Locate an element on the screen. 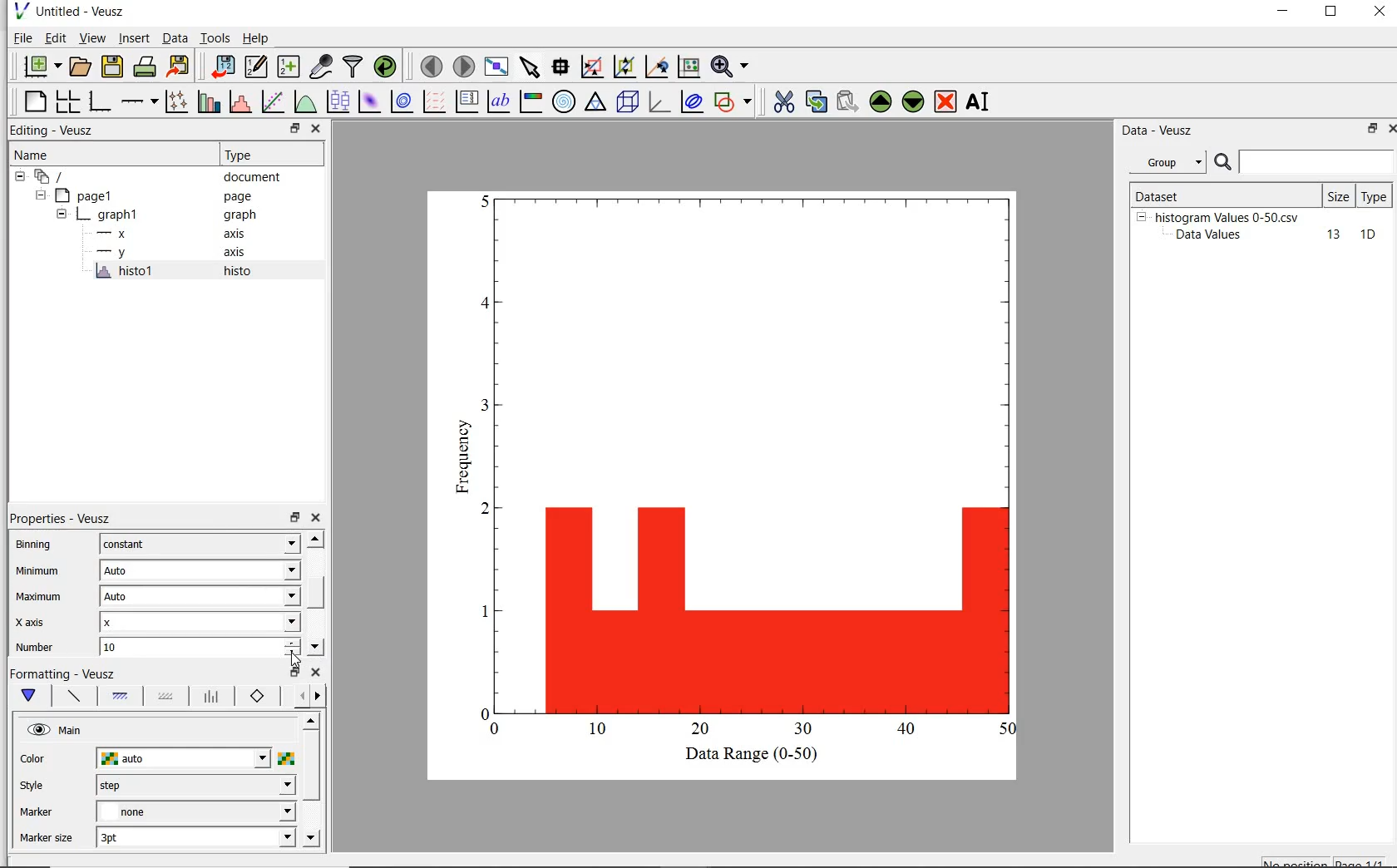 Image resolution: width=1397 pixels, height=868 pixels. 13 is located at coordinates (1326, 235).